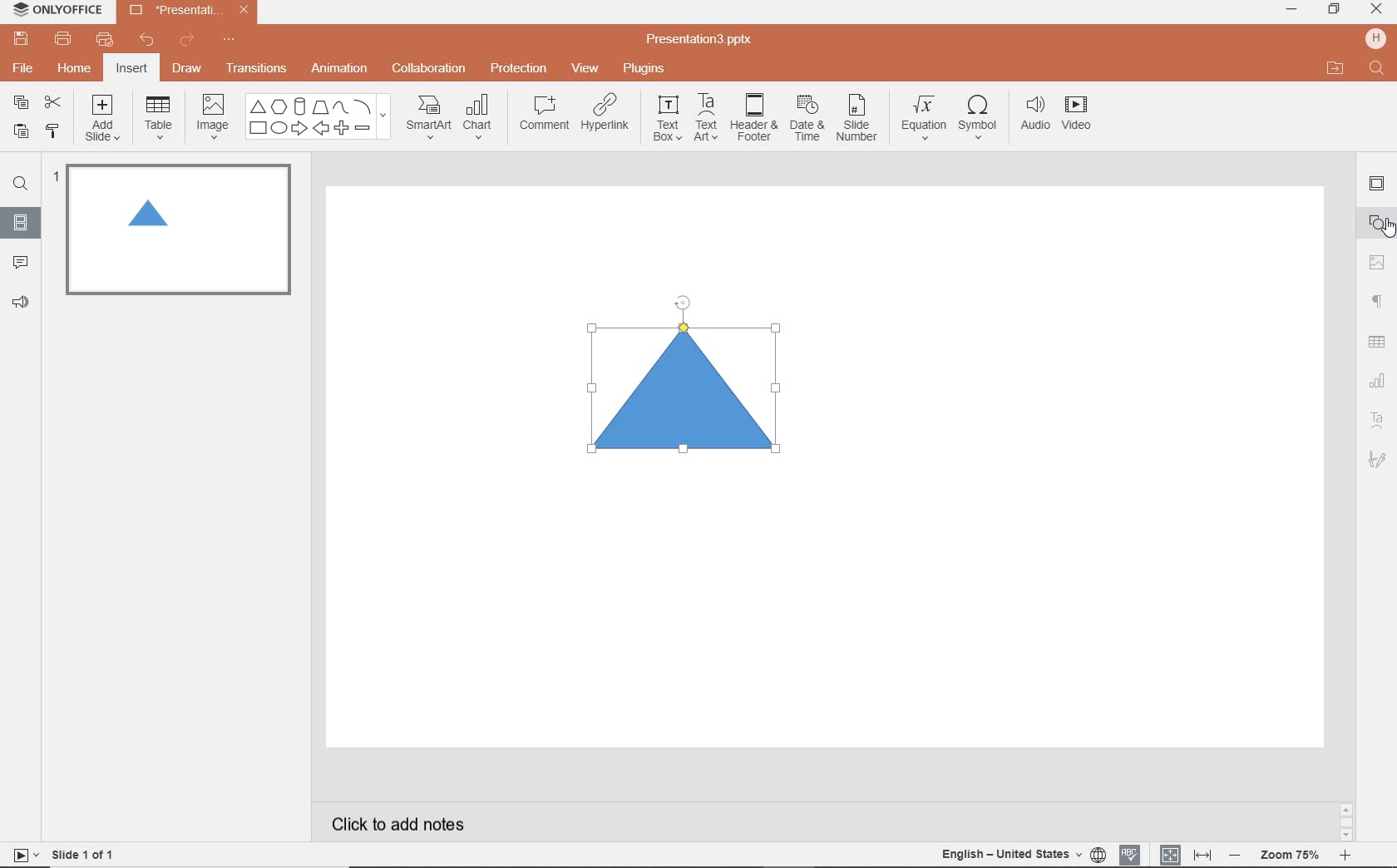  What do you see at coordinates (1291, 10) in the screenshot?
I see `MINIMIZE` at bounding box center [1291, 10].